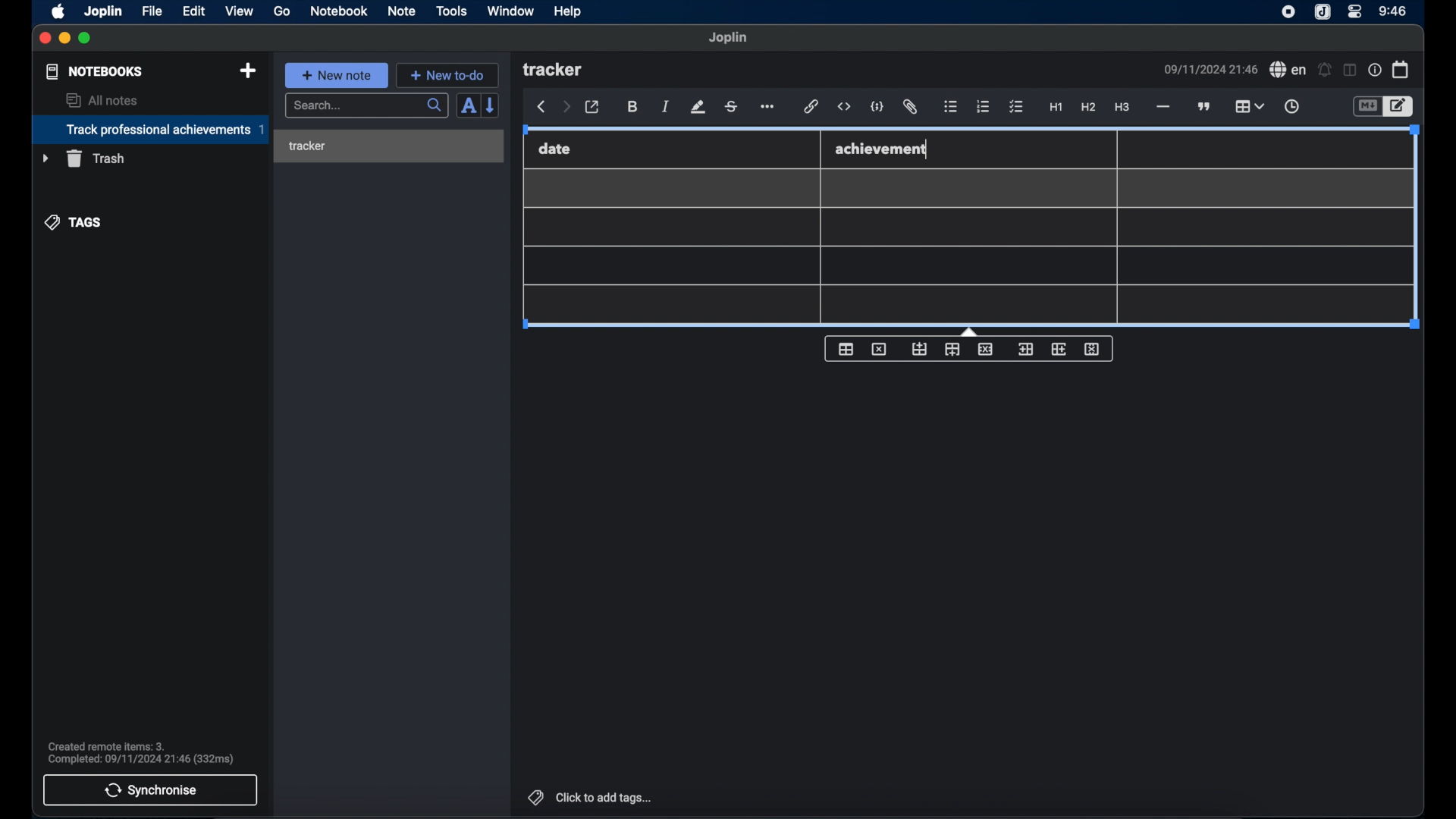 Image resolution: width=1456 pixels, height=819 pixels. Describe the element at coordinates (1205, 106) in the screenshot. I see `block quote` at that location.